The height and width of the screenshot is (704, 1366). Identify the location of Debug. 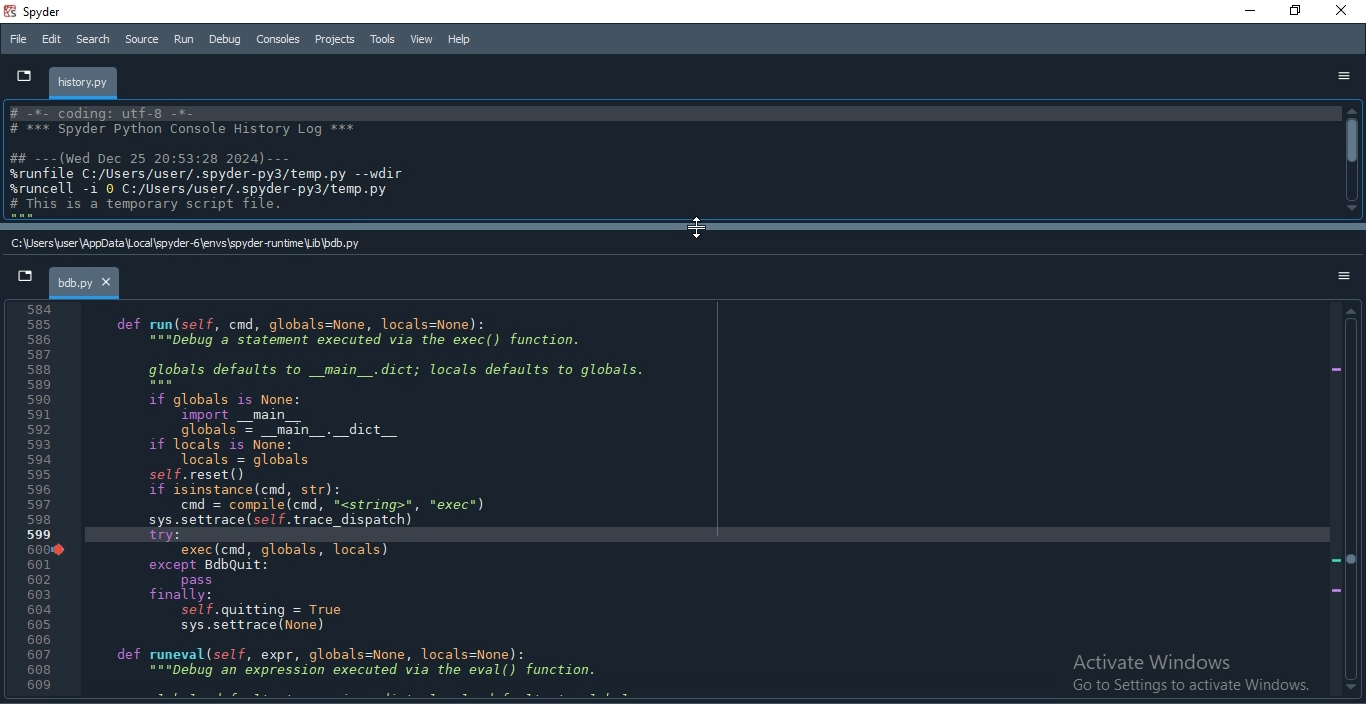
(223, 41).